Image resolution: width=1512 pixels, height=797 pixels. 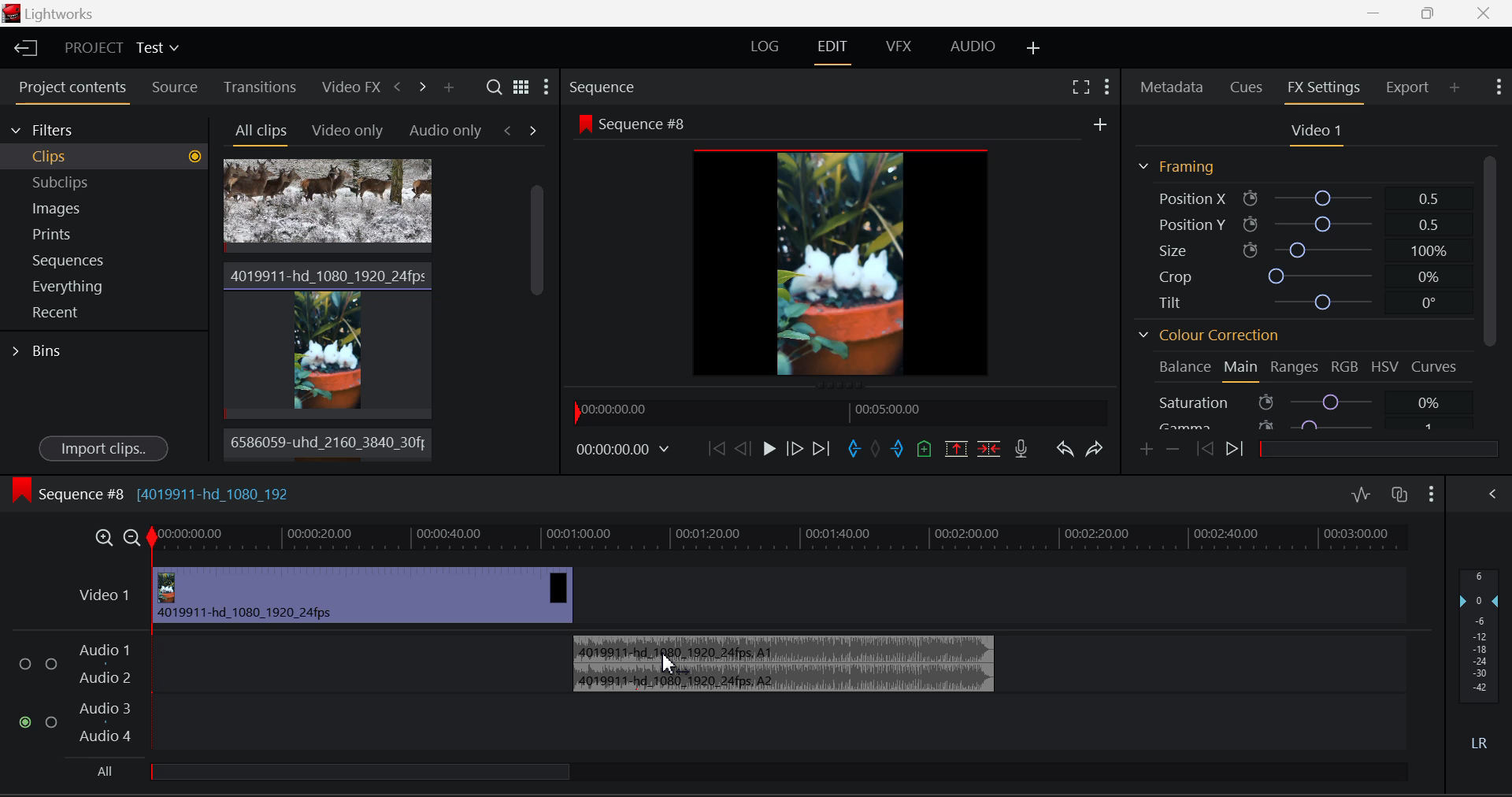 I want to click on Cues, so click(x=1249, y=85).